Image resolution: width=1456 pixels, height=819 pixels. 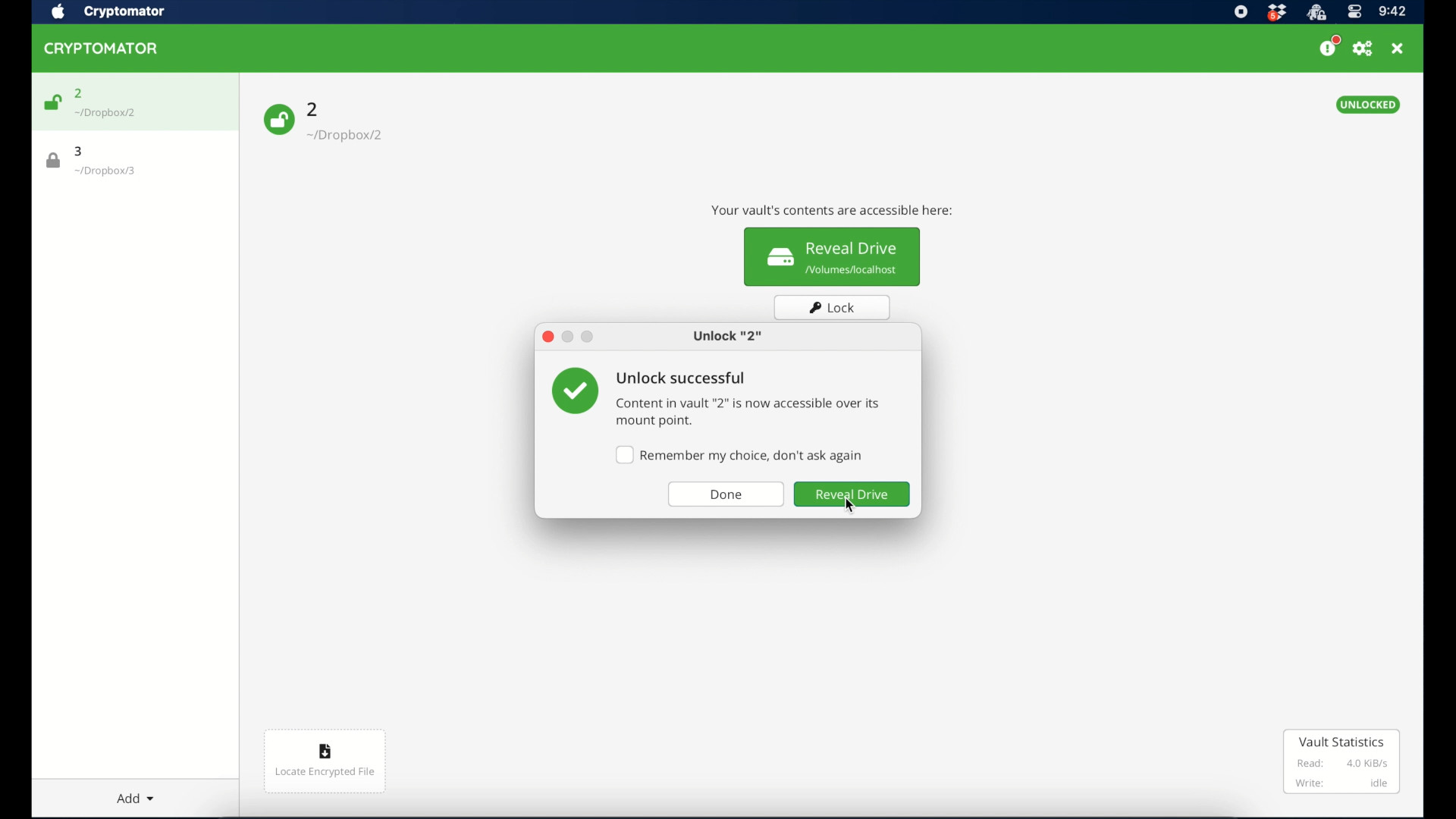 What do you see at coordinates (313, 108) in the screenshot?
I see `2` at bounding box center [313, 108].